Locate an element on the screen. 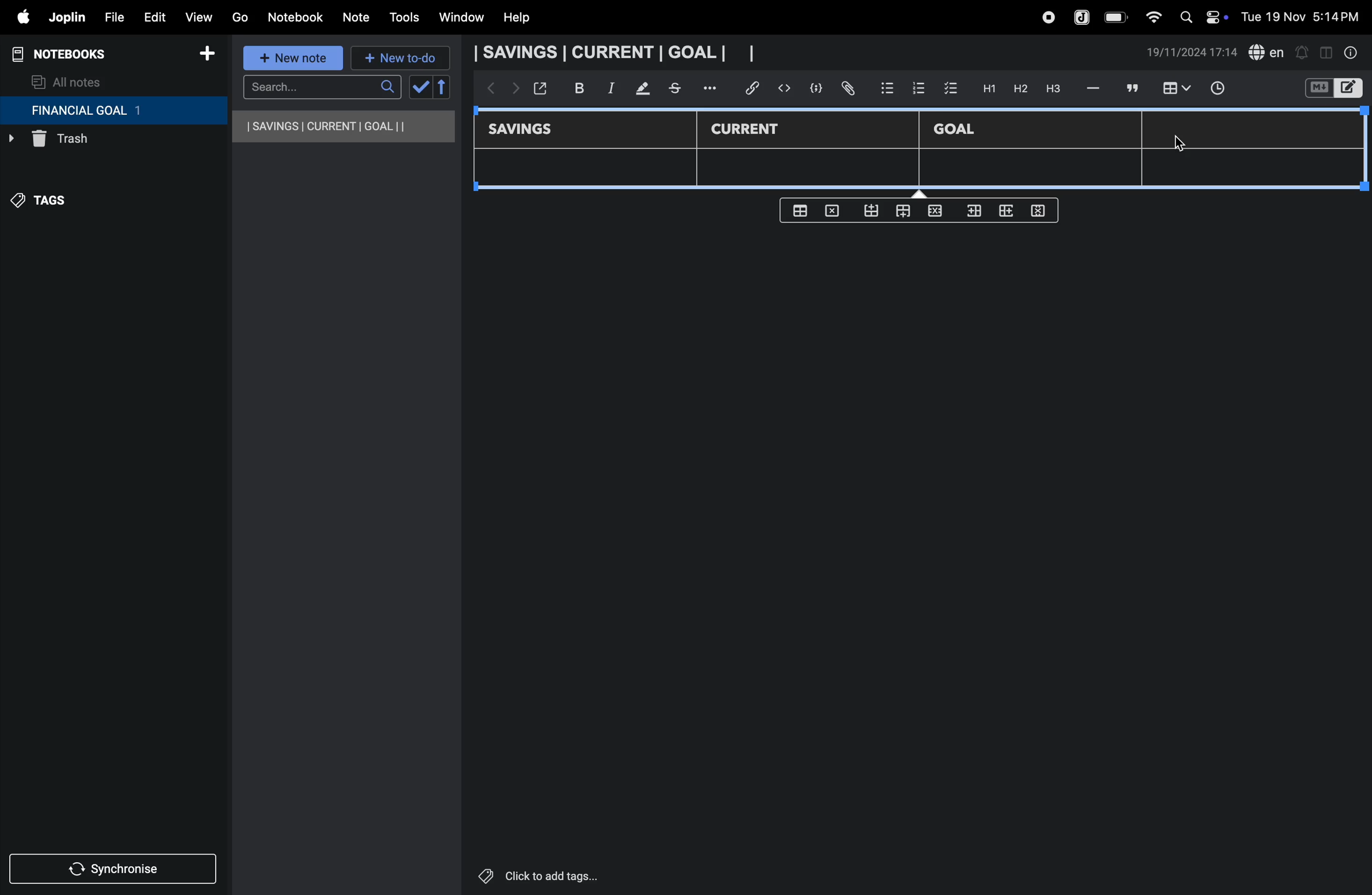 The width and height of the screenshot is (1372, 895). backward is located at coordinates (487, 89).